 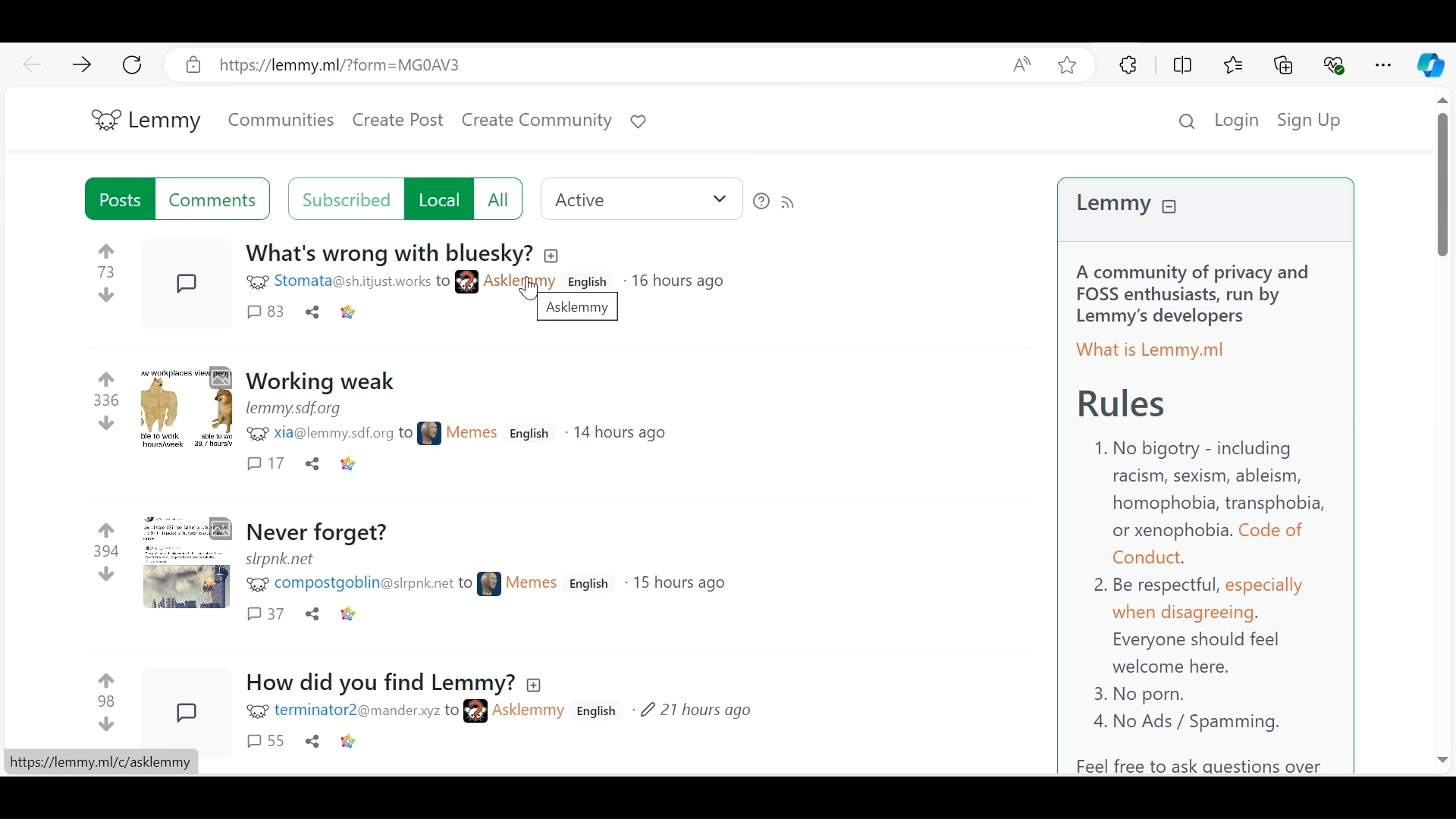 I want to click on Title, so click(x=318, y=534).